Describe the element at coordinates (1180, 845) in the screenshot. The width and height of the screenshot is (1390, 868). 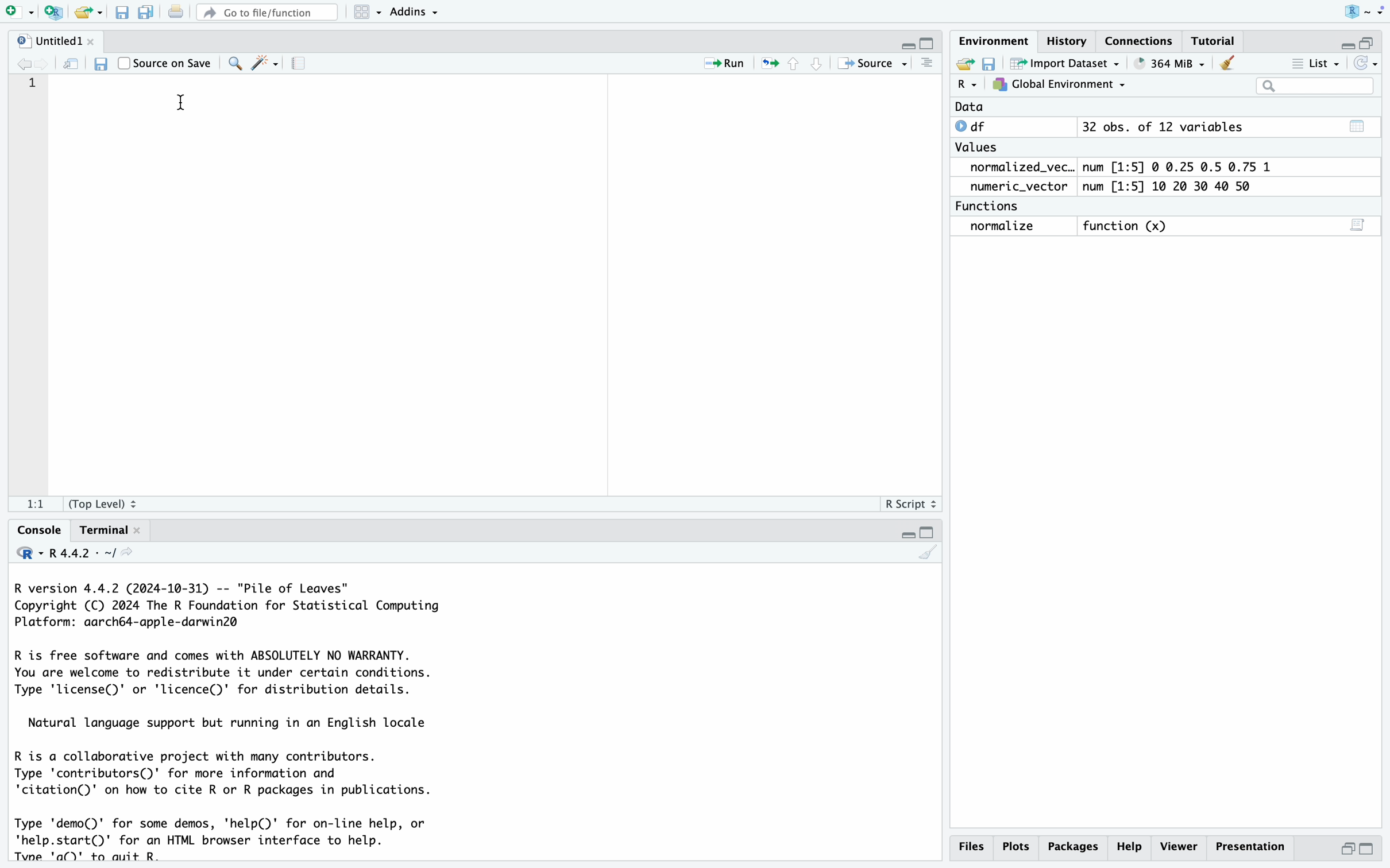
I see `Viewer` at that location.